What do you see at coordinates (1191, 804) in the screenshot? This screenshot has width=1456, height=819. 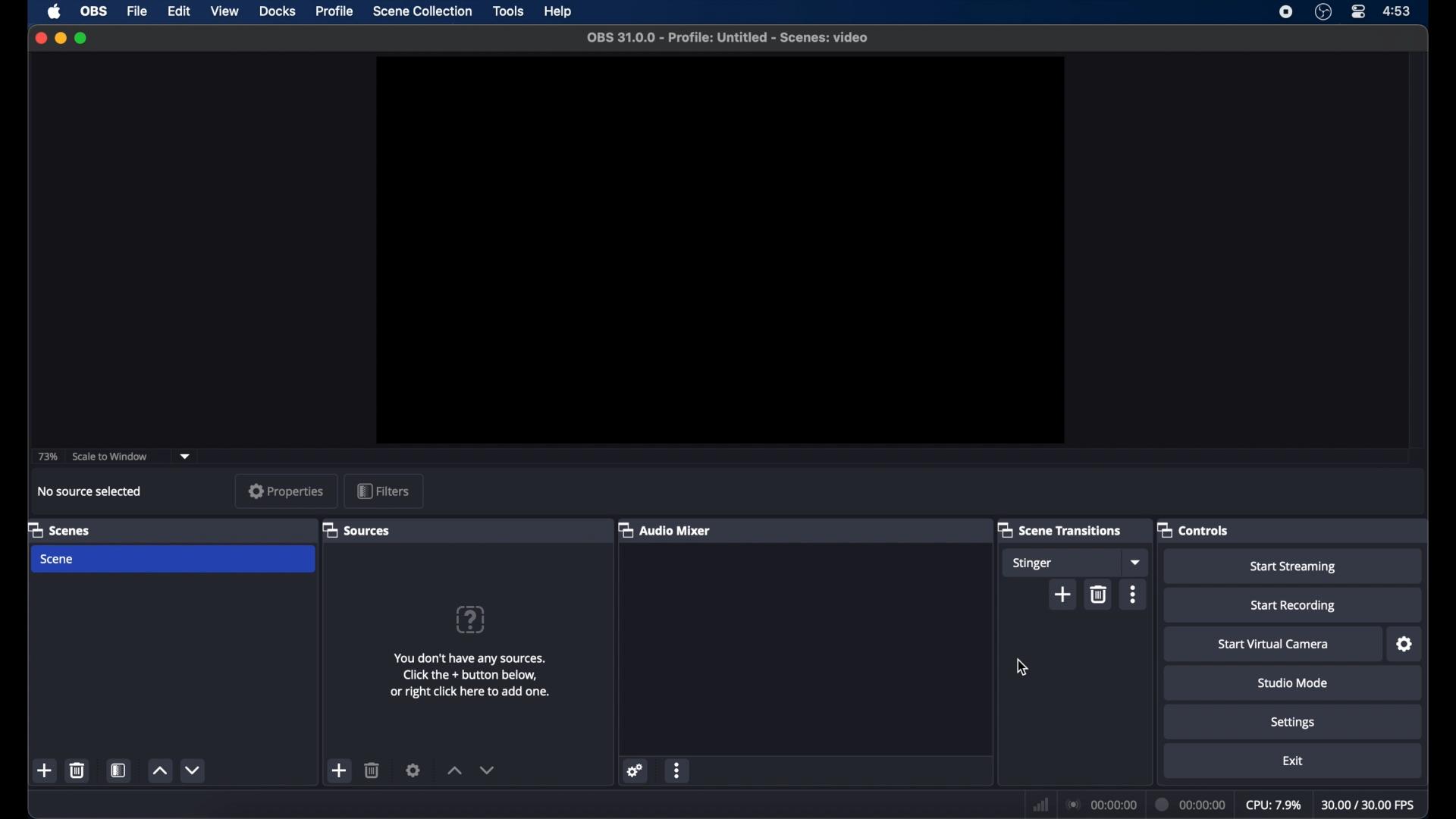 I see `duration` at bounding box center [1191, 804].